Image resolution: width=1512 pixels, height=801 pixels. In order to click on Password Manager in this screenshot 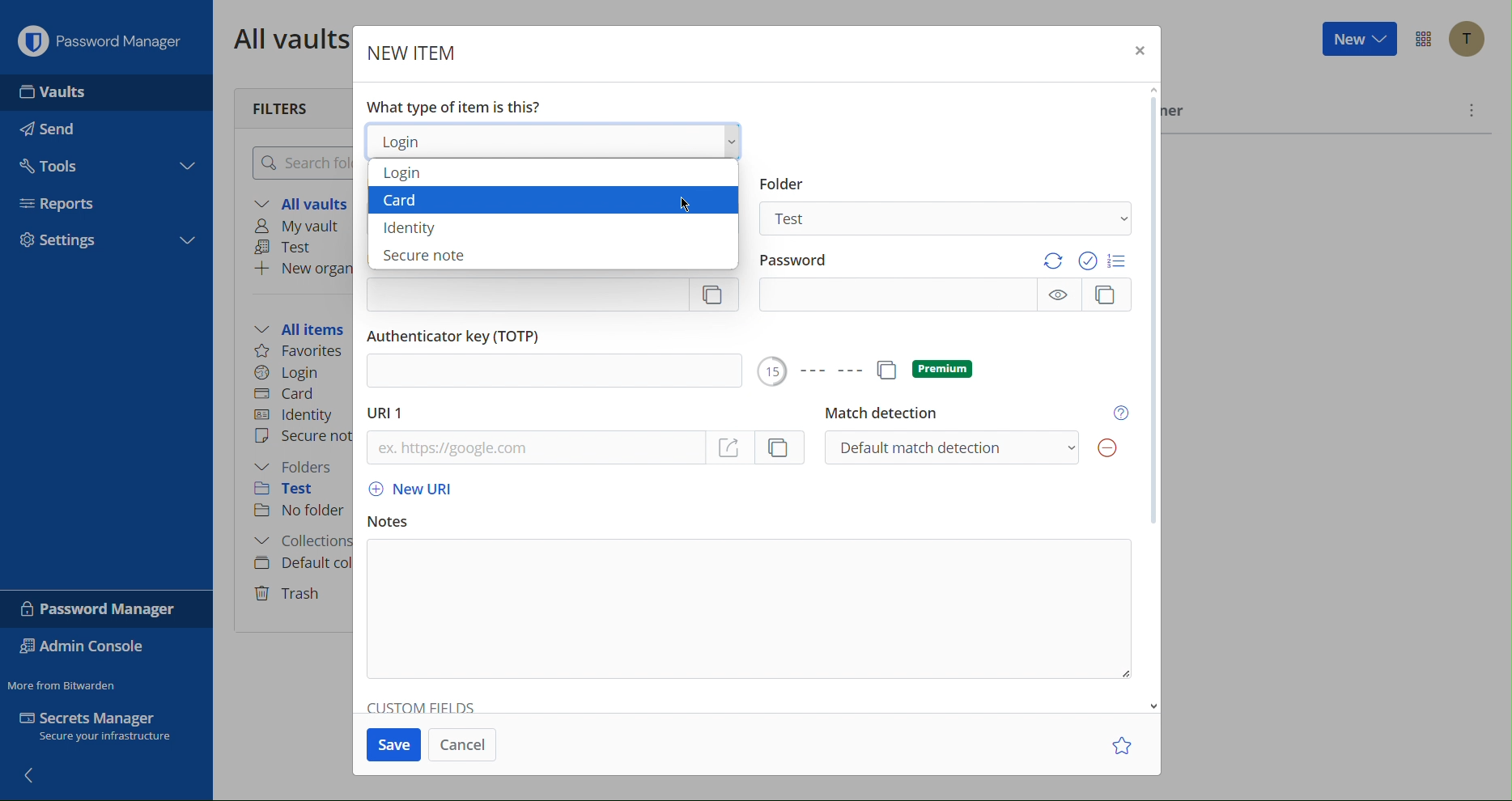, I will do `click(110, 42)`.